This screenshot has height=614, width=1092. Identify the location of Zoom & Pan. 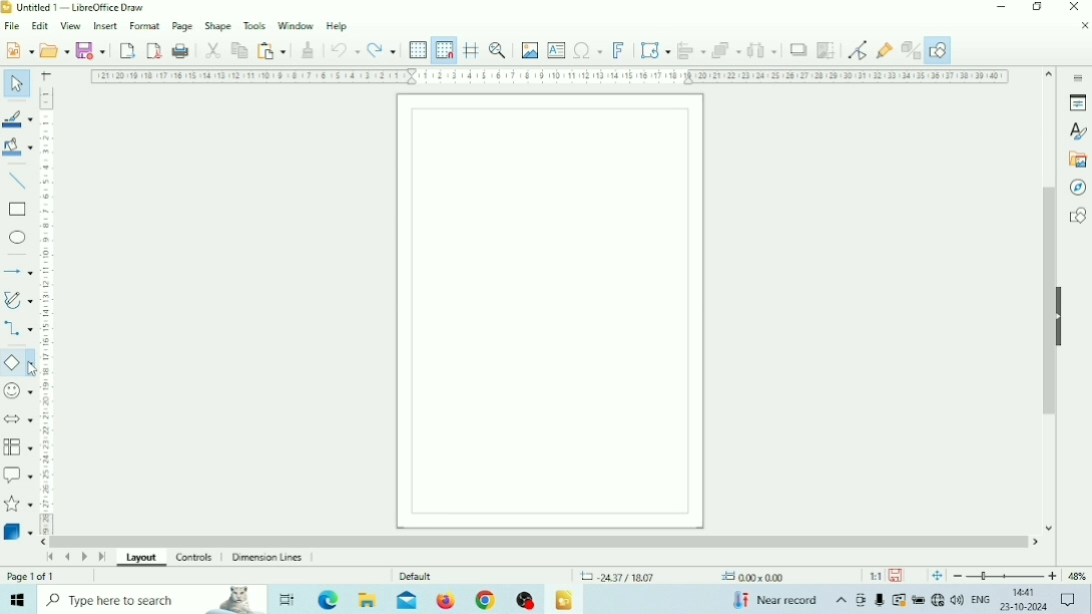
(498, 49).